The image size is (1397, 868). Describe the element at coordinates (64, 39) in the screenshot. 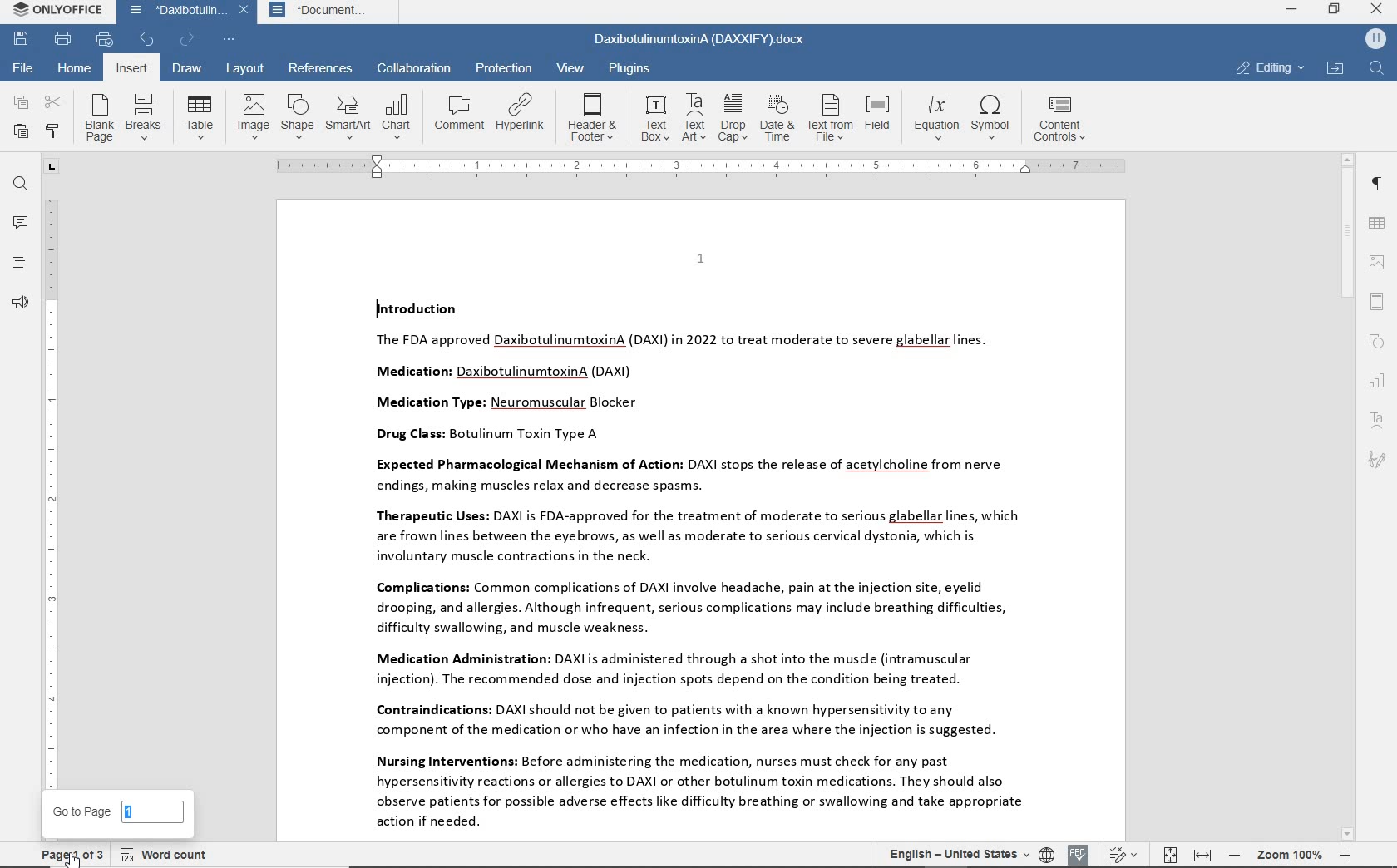

I see `print` at that location.